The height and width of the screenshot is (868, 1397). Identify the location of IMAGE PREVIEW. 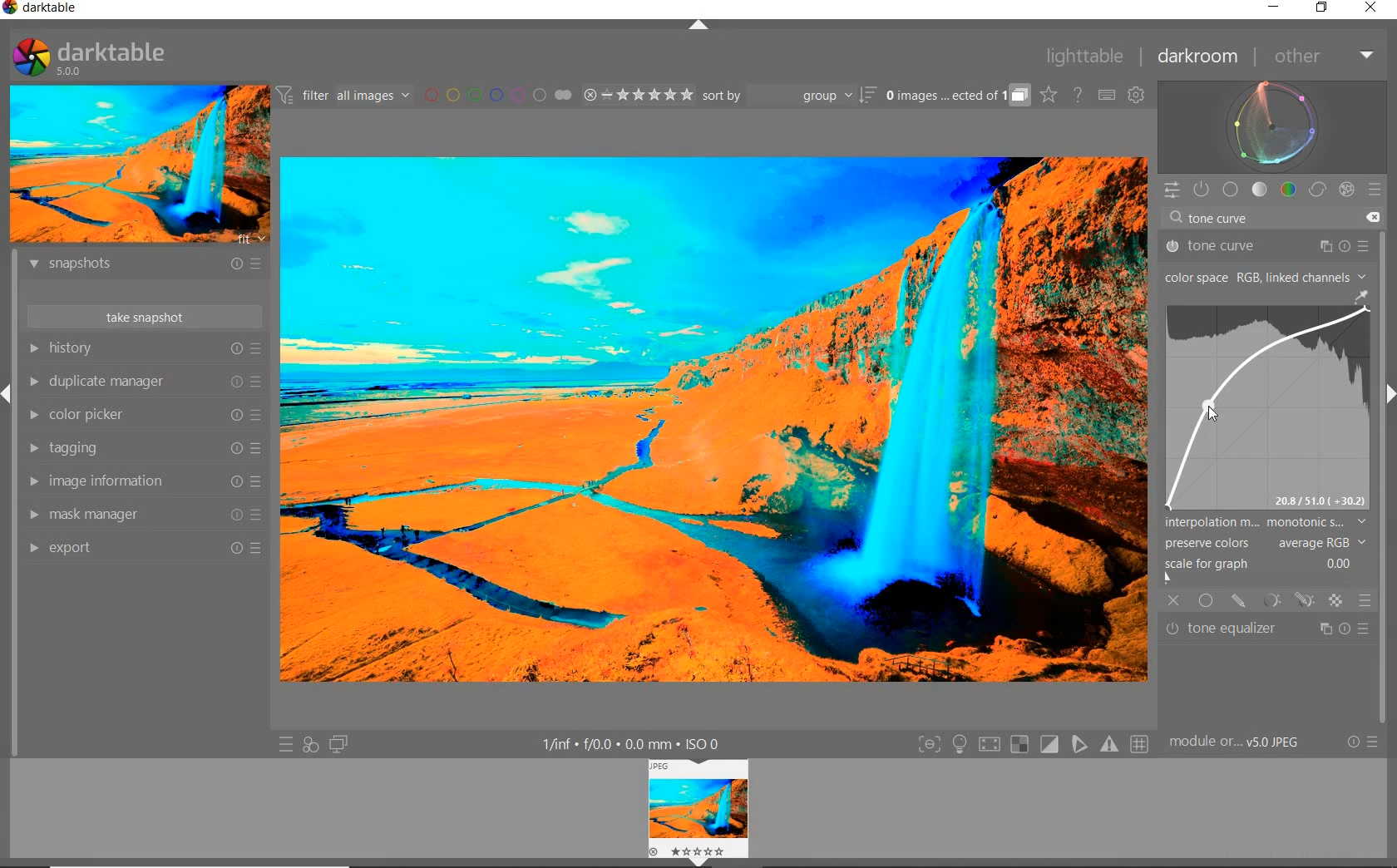
(137, 165).